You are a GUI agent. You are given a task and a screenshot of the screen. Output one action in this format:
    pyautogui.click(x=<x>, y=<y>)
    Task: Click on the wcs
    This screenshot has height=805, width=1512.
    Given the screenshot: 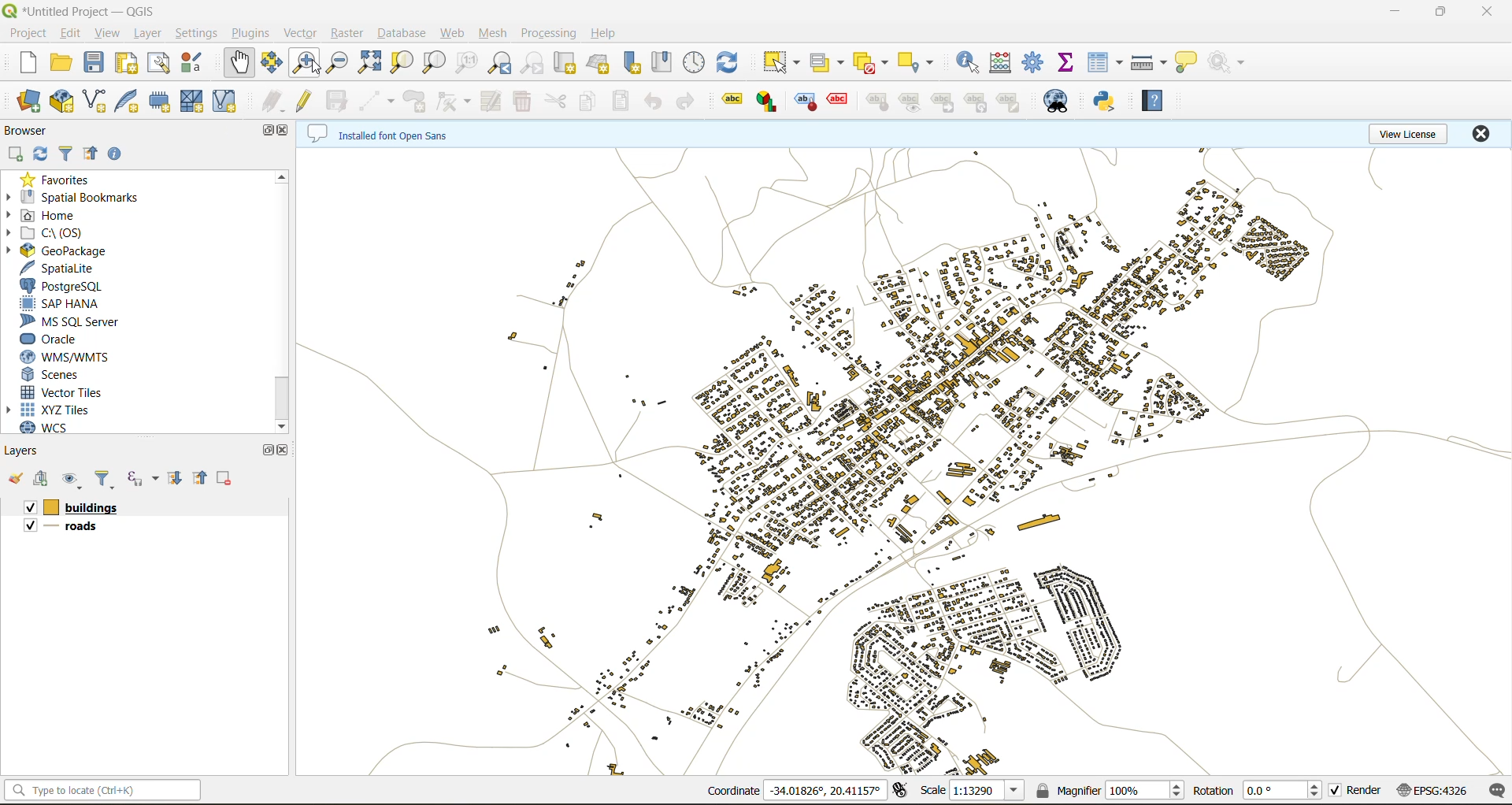 What is the action you would take?
    pyautogui.click(x=46, y=427)
    